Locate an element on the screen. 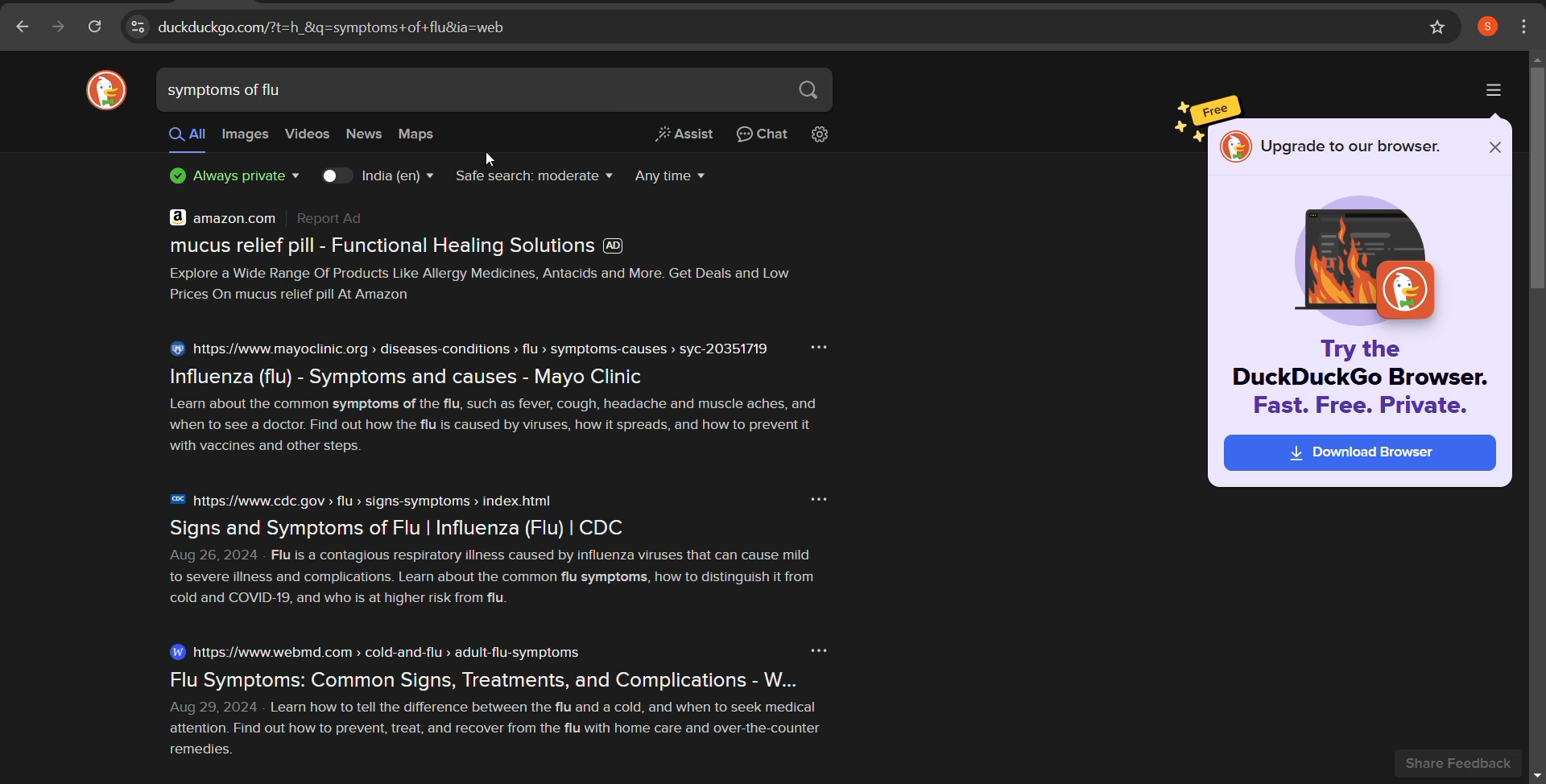  more option is located at coordinates (812, 650).